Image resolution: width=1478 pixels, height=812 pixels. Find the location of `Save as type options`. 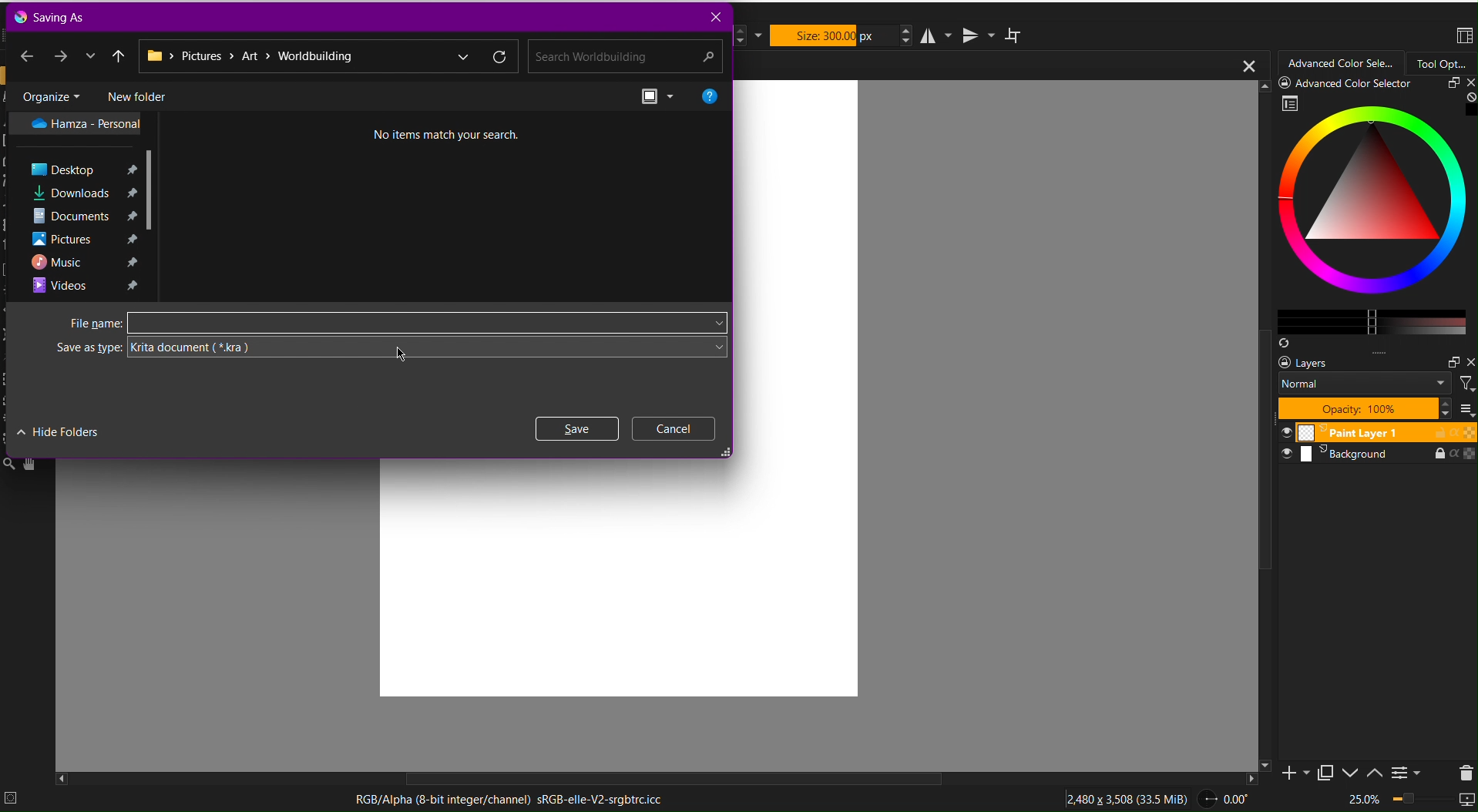

Save as type options is located at coordinates (429, 351).